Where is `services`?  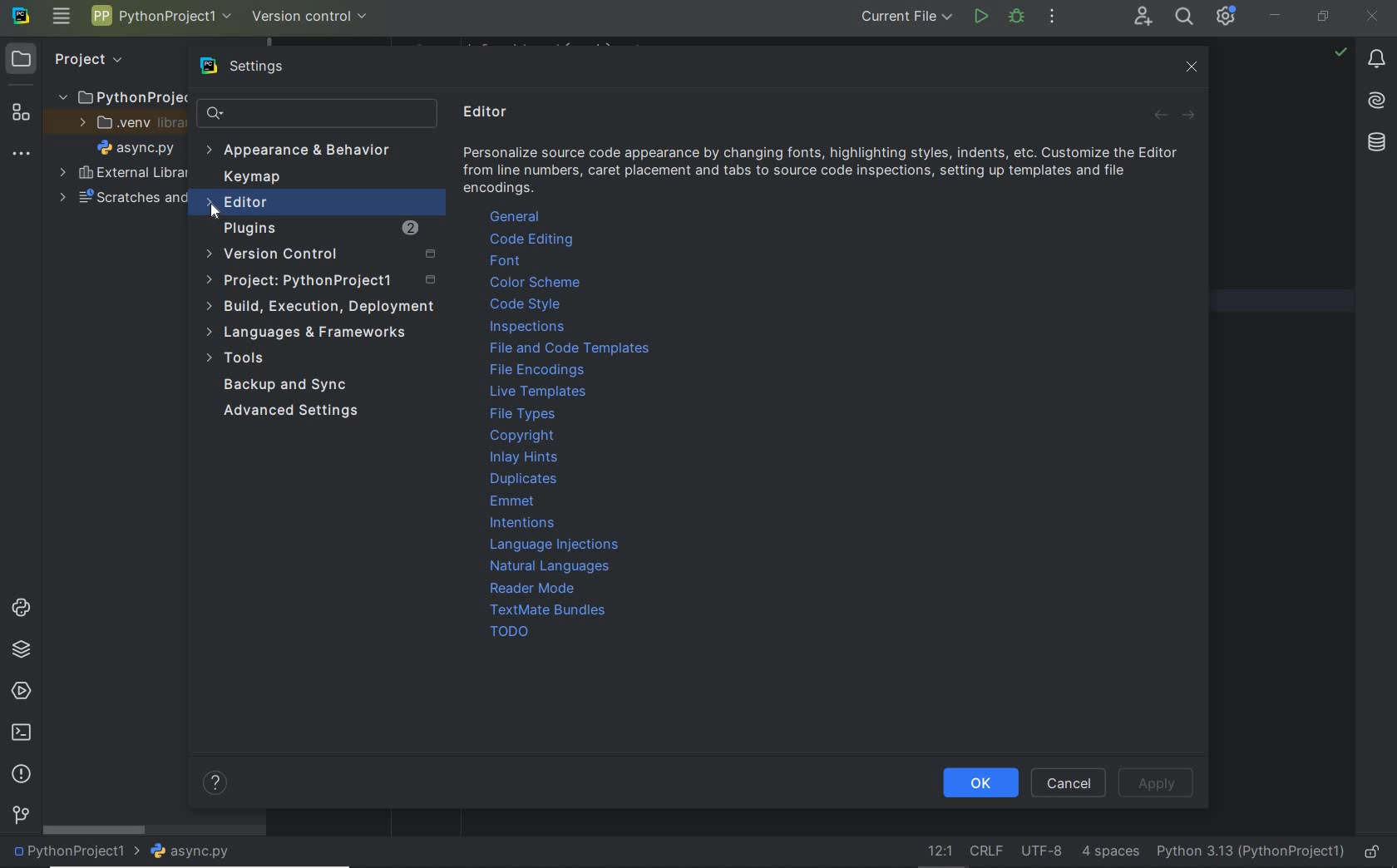 services is located at coordinates (20, 692).